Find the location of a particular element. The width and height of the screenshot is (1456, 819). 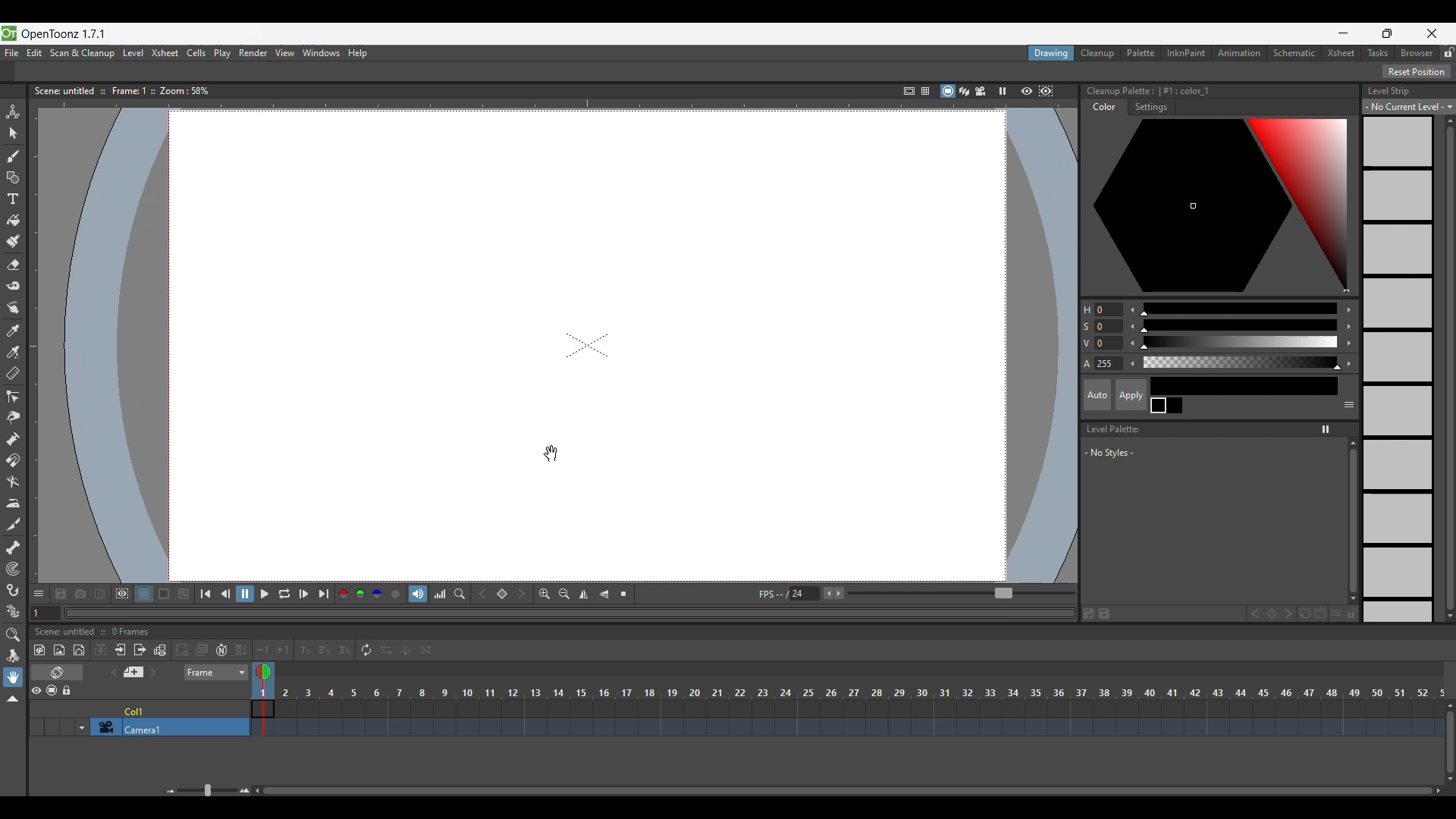

Decrease color modification is located at coordinates (1131, 336).